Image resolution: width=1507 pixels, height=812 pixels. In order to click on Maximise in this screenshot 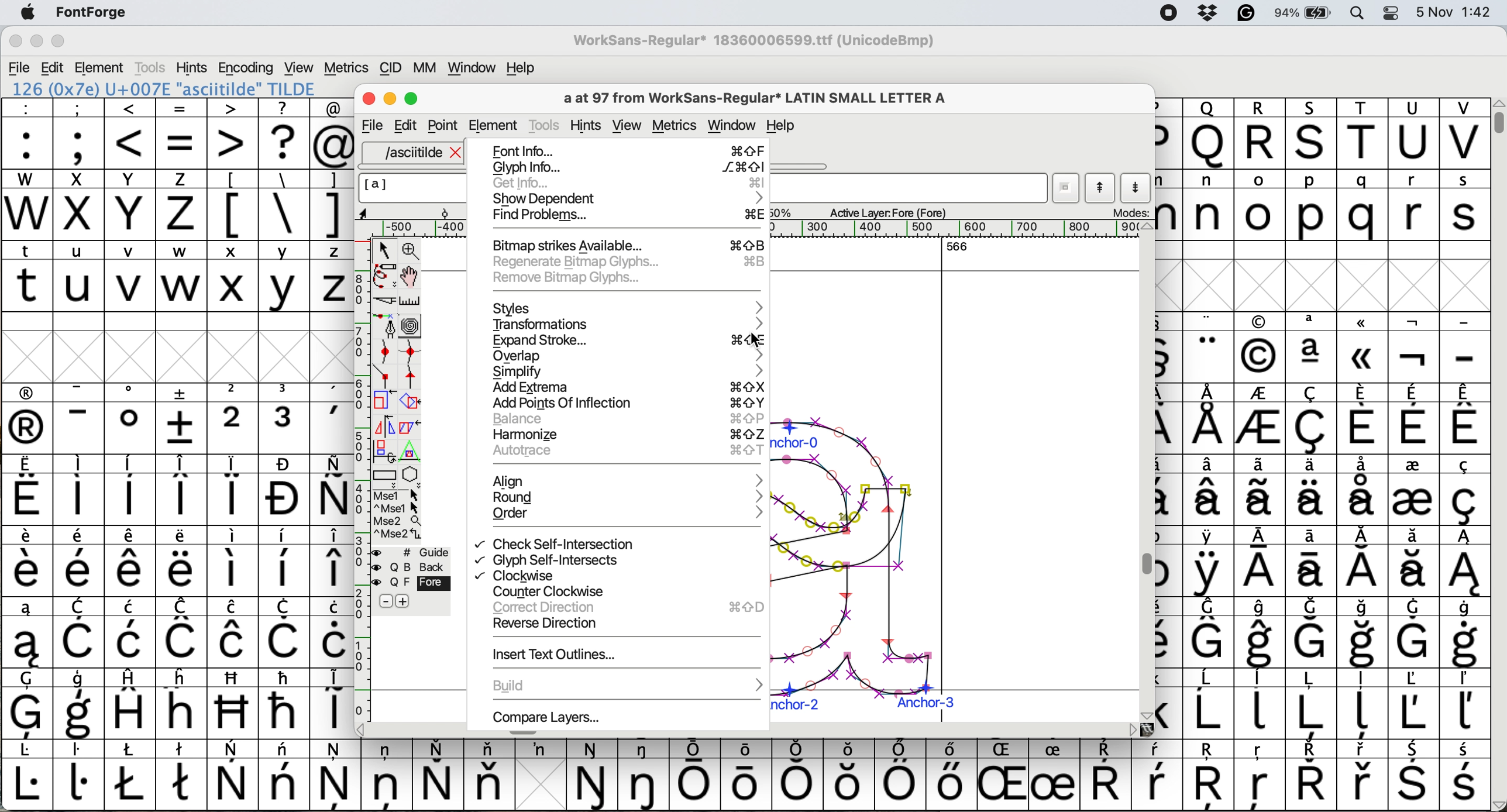, I will do `click(414, 99)`.